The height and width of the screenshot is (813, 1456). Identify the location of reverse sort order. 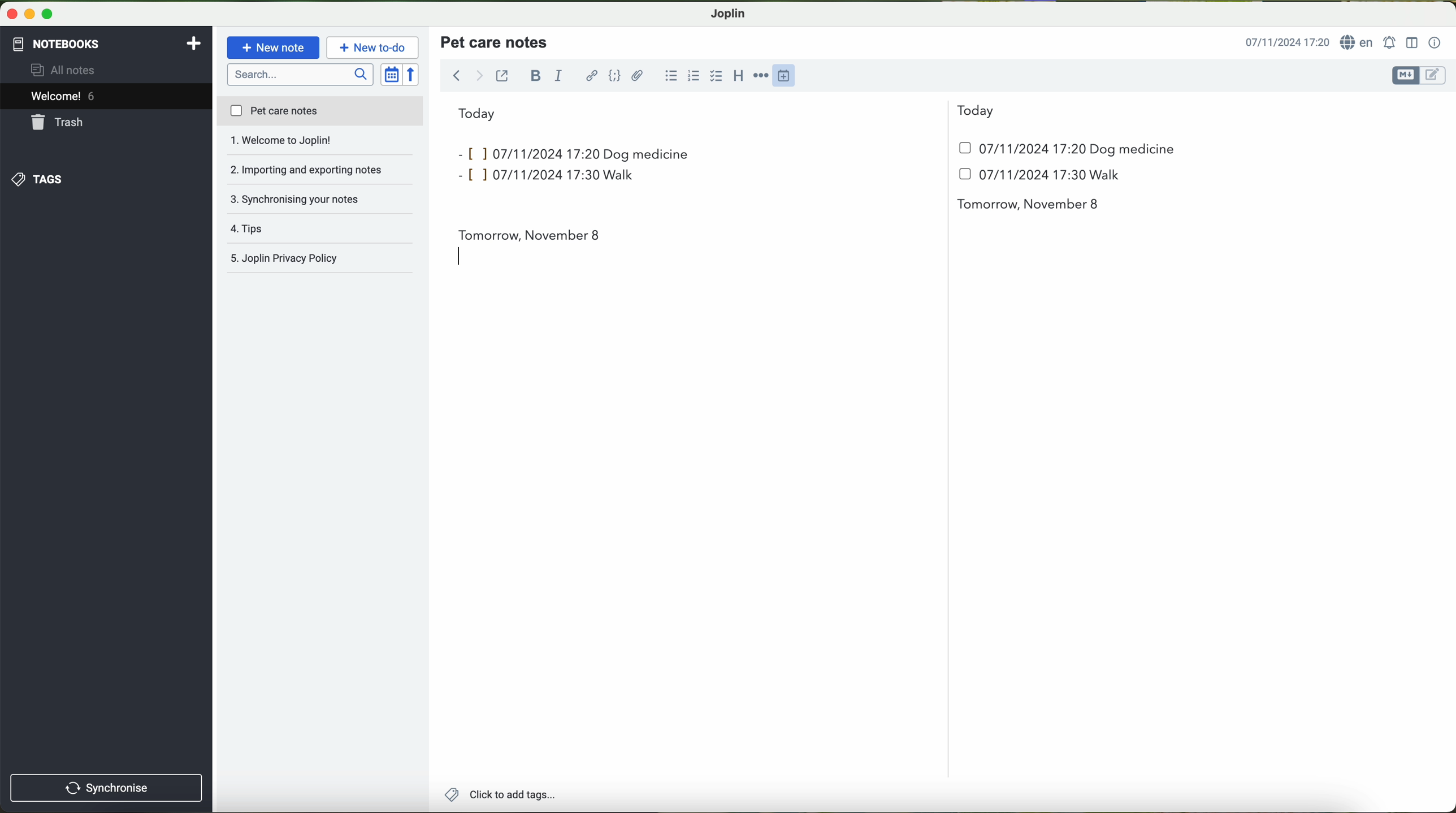
(414, 75).